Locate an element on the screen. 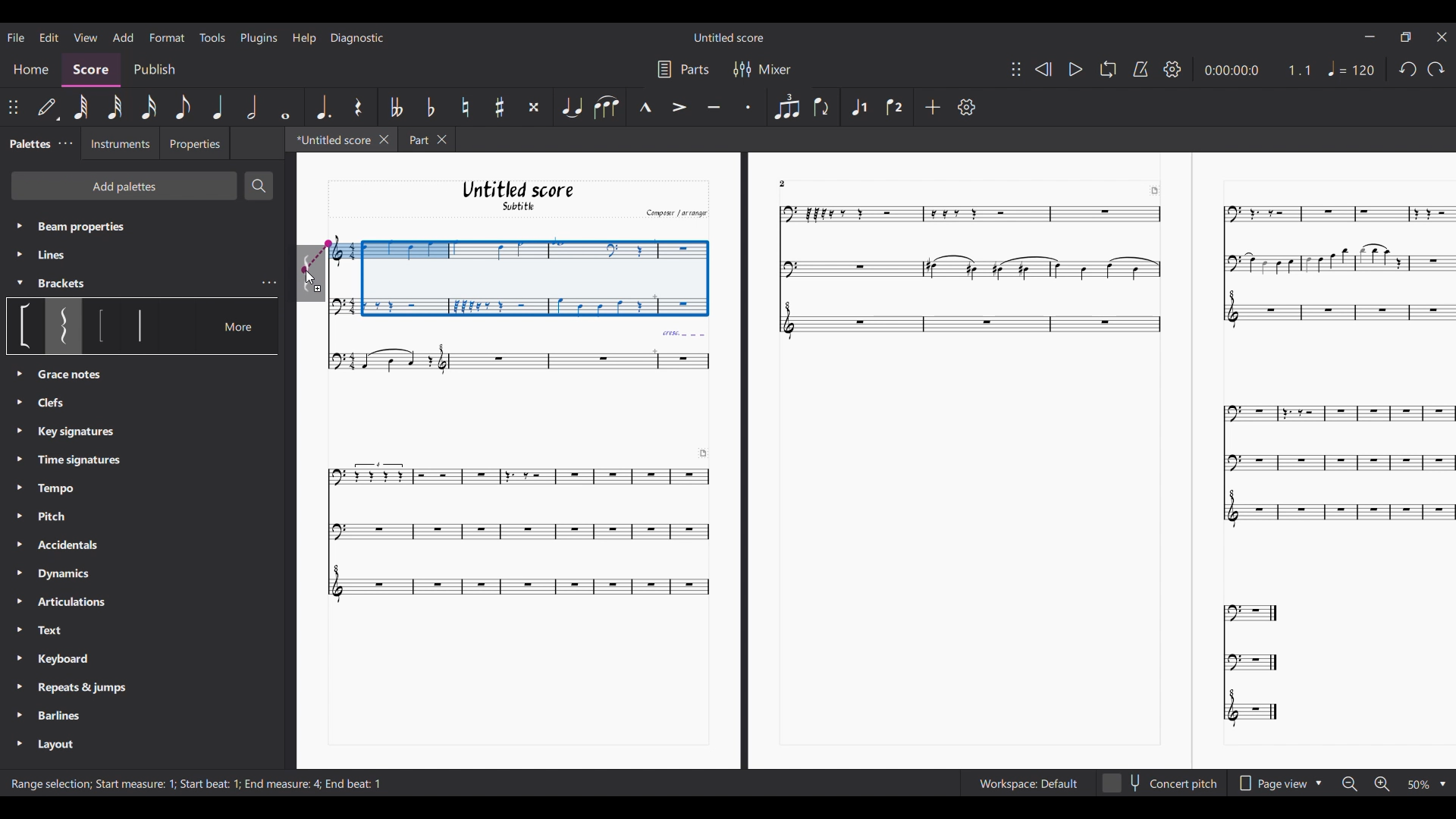 This screenshot has height=819, width=1456. Filter is located at coordinates (740, 69).